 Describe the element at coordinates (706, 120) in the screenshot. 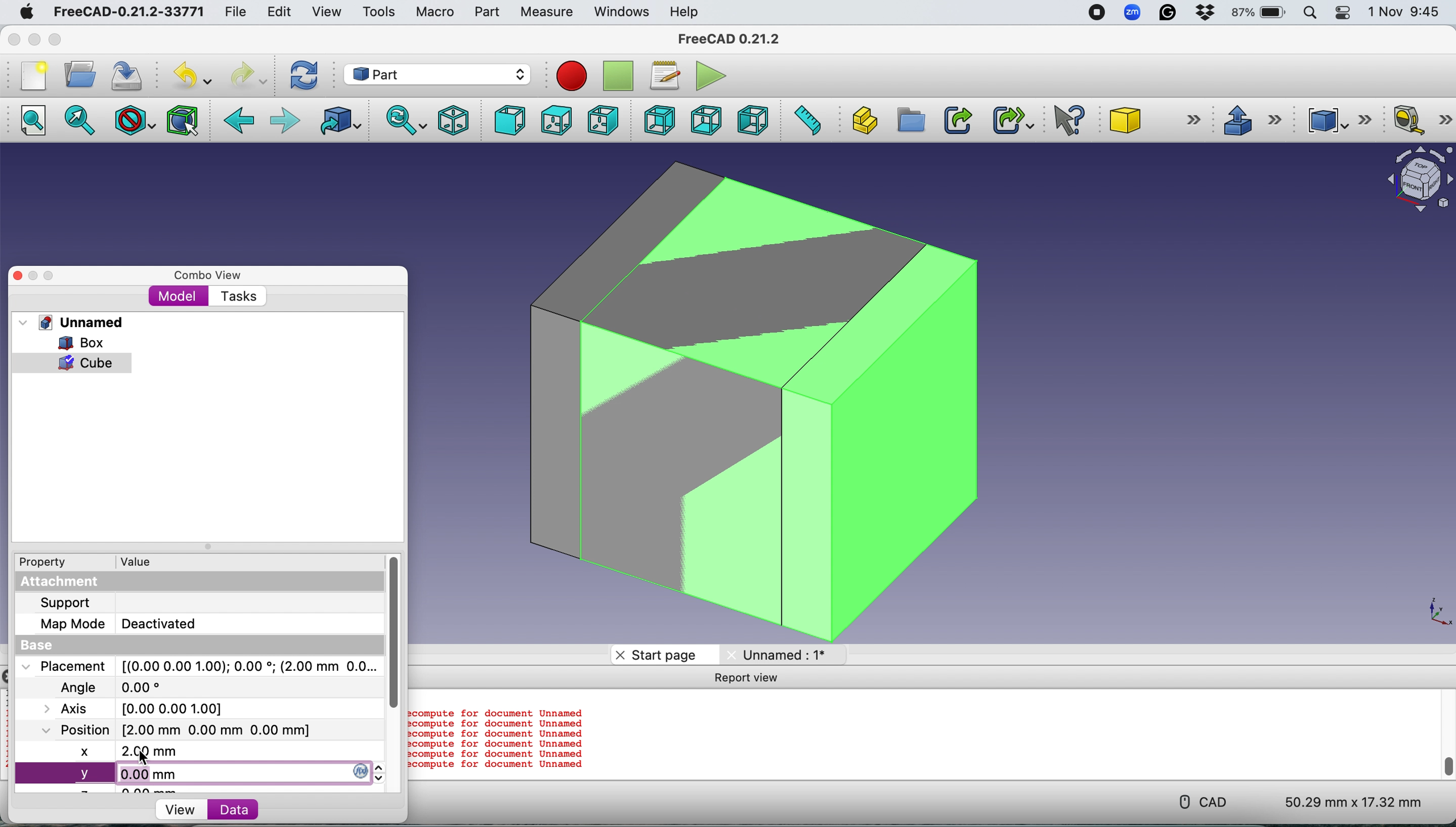

I see `Bottom` at that location.